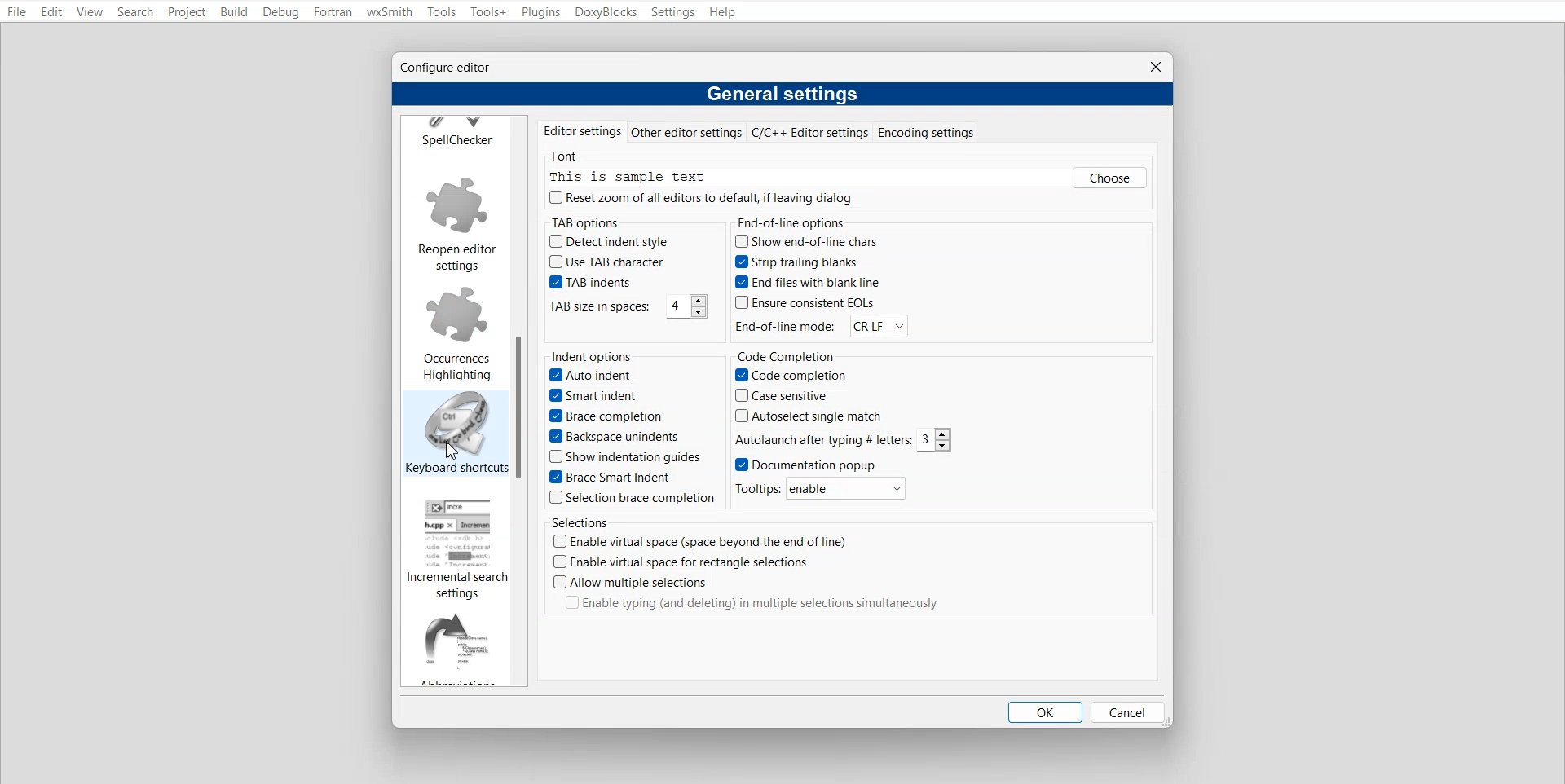  I want to click on Autolaunch after typing # letters:, so click(822, 440).